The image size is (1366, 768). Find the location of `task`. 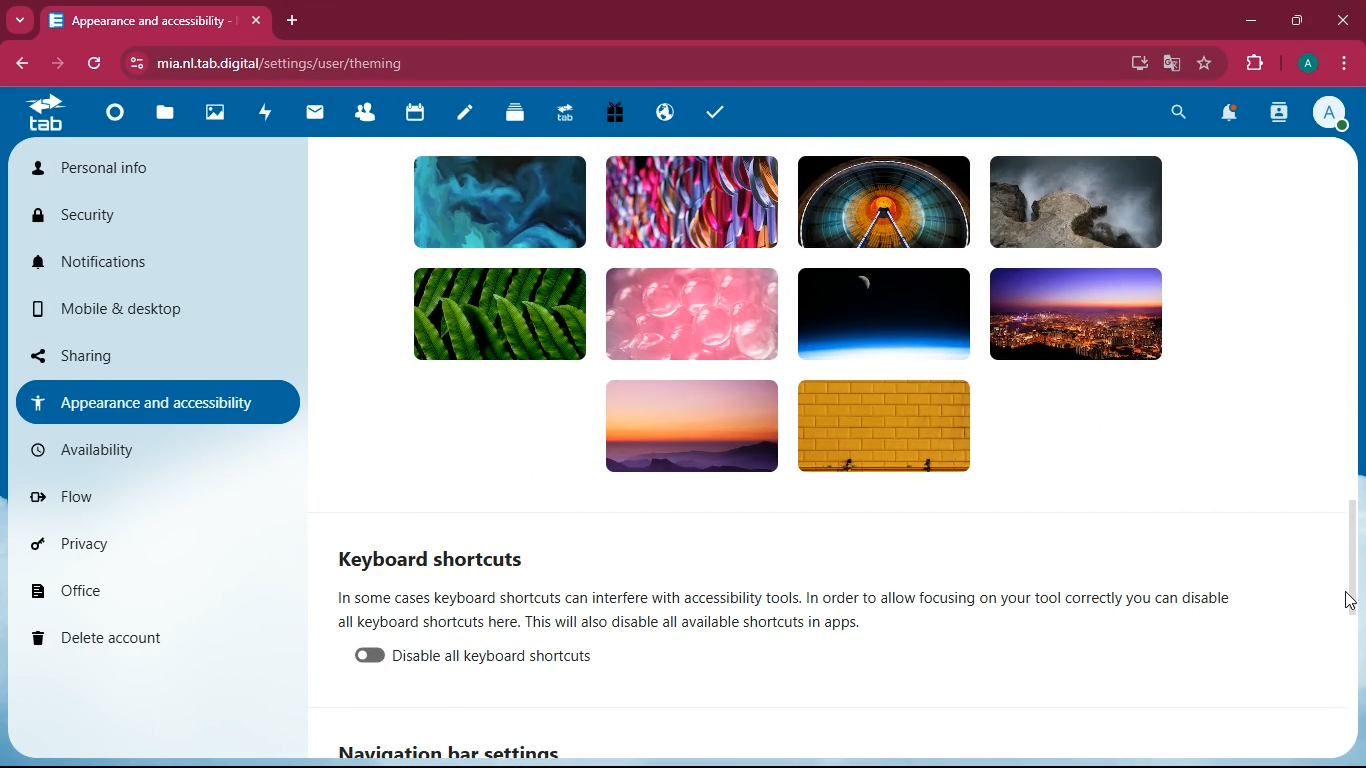

task is located at coordinates (719, 115).